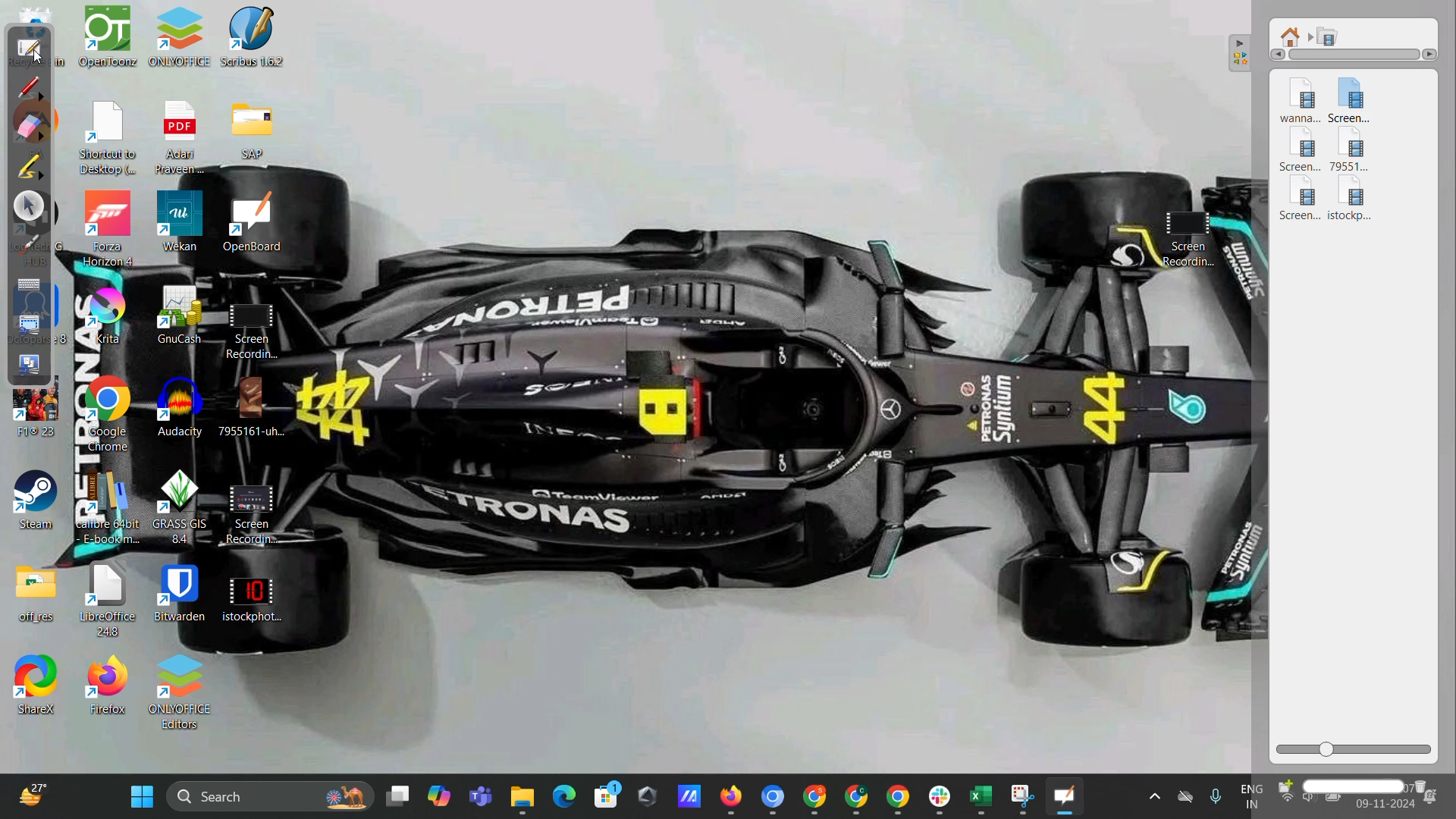 This screenshot has height=819, width=1456. Describe the element at coordinates (109, 229) in the screenshot. I see `Forza Horizon 4` at that location.